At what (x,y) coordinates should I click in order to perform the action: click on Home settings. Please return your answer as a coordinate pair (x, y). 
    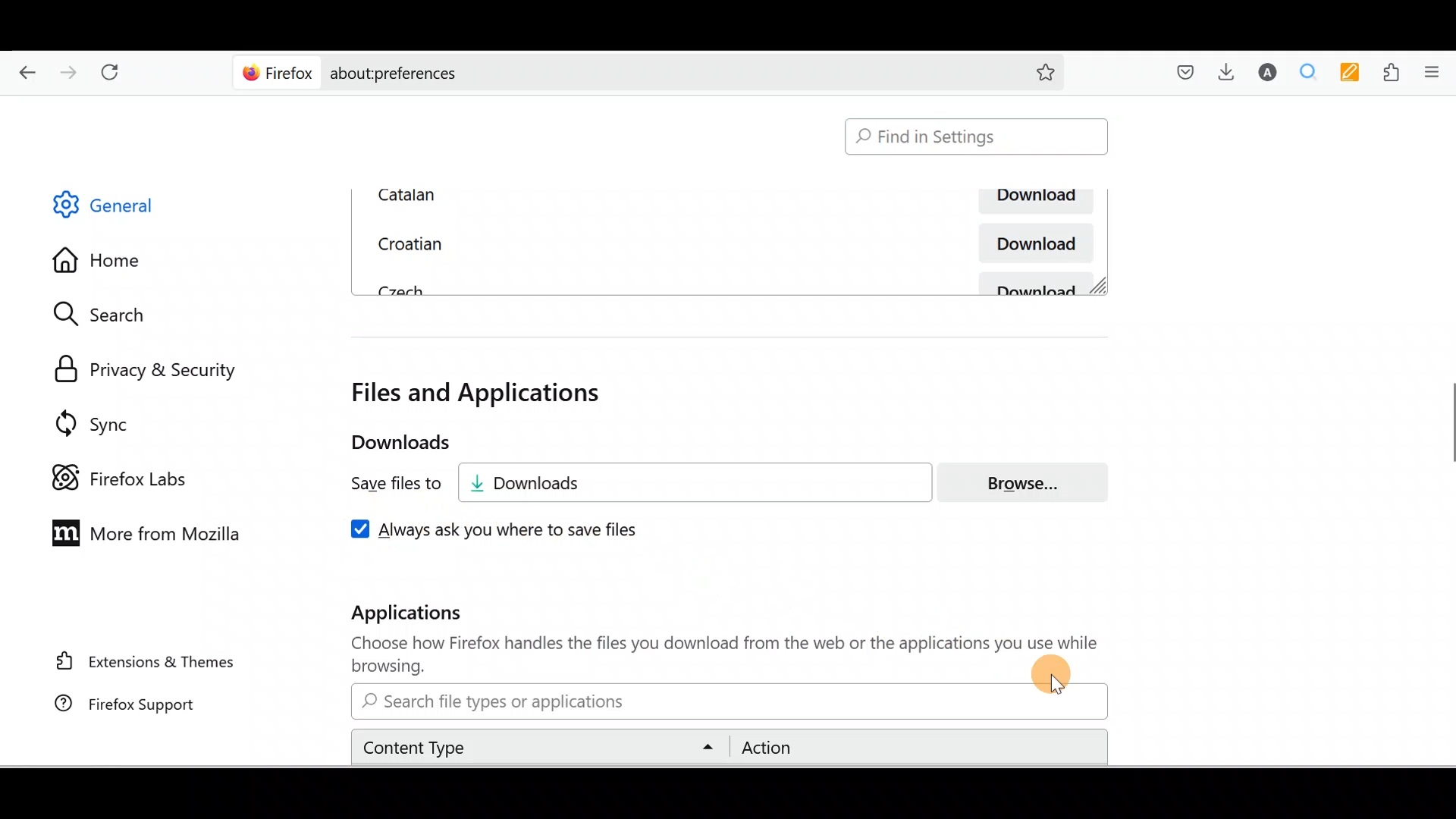
    Looking at the image, I should click on (98, 258).